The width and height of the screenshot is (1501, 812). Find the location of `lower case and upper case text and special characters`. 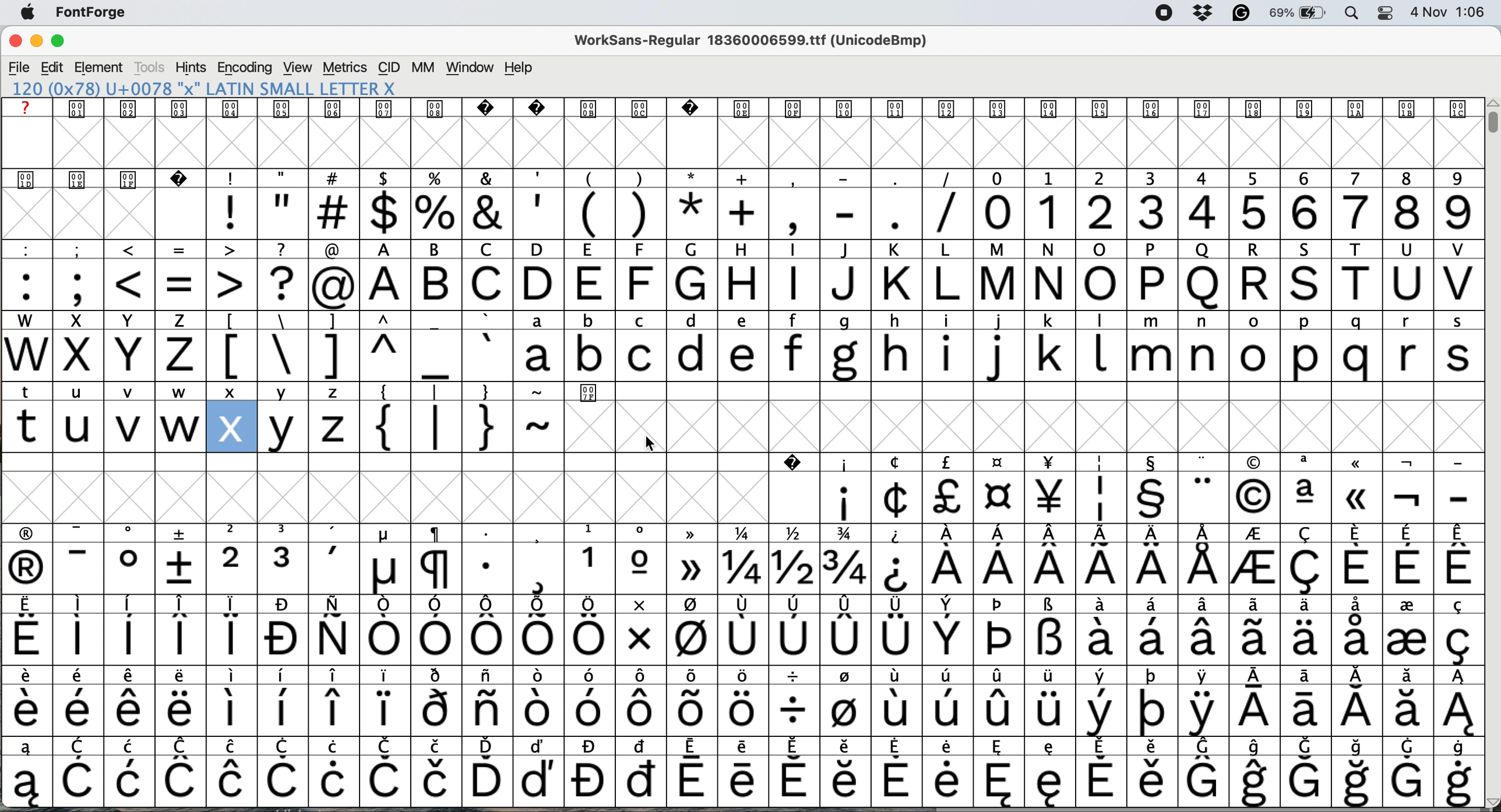

lower case and upper case text and special characters is located at coordinates (745, 318).